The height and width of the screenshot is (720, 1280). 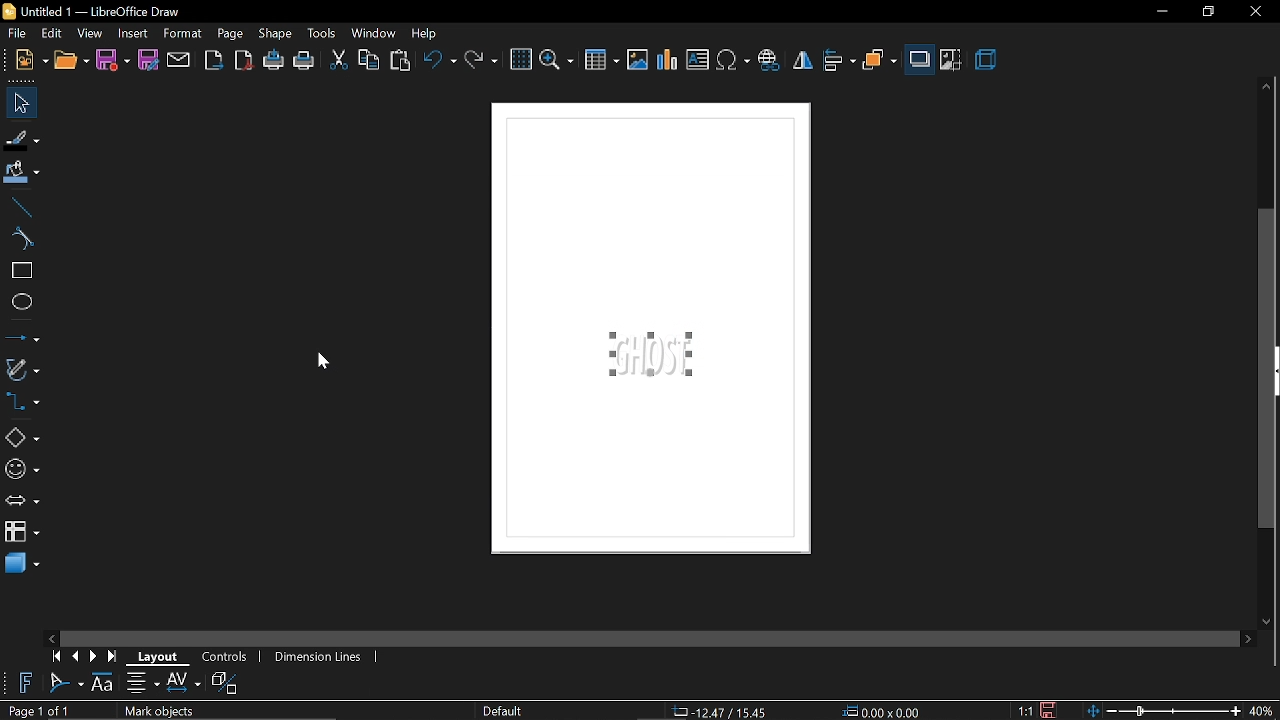 I want to click on ellipse, so click(x=20, y=302).